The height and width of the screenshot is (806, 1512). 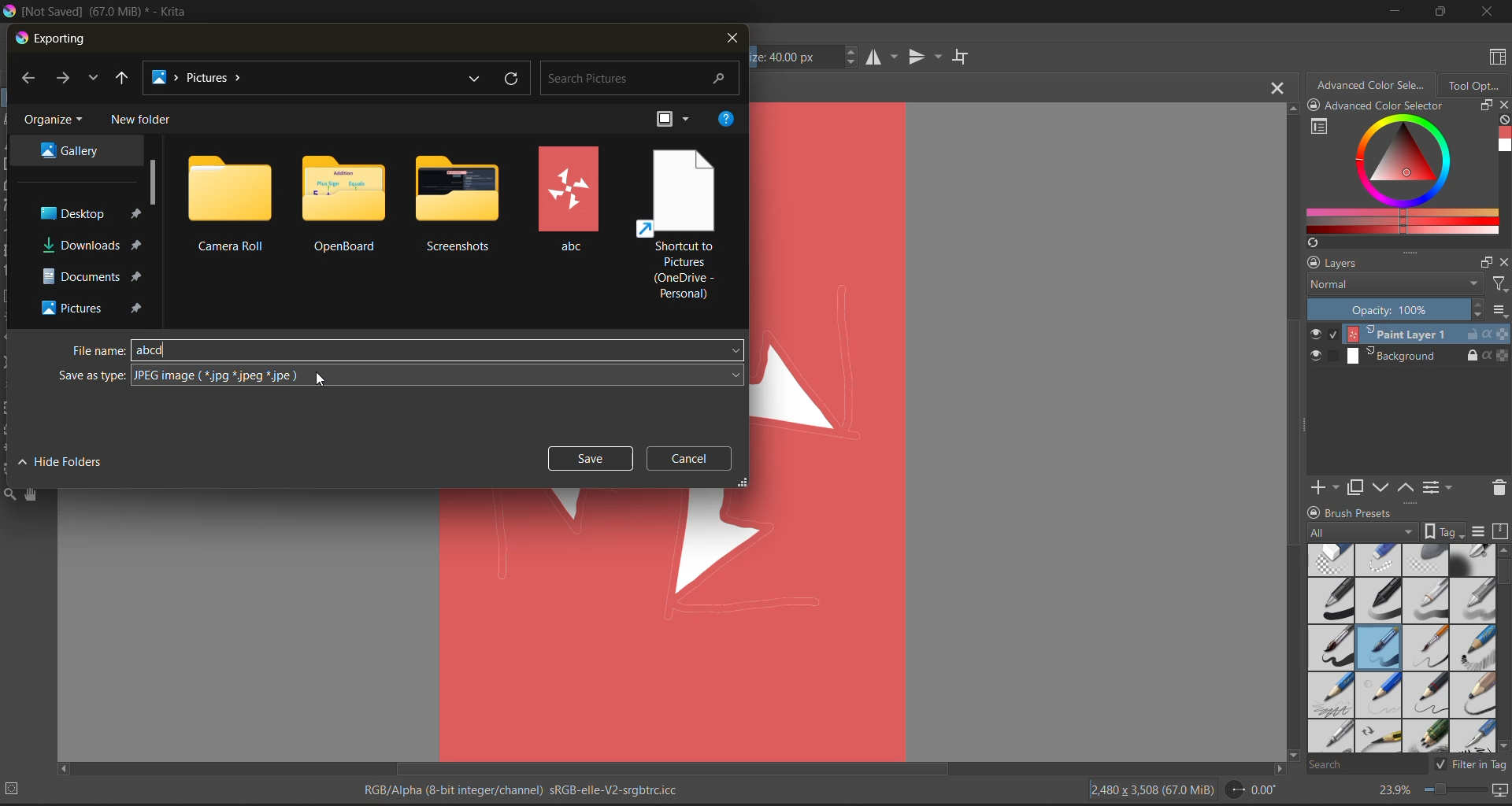 I want to click on flip angle, so click(x=1251, y=790).